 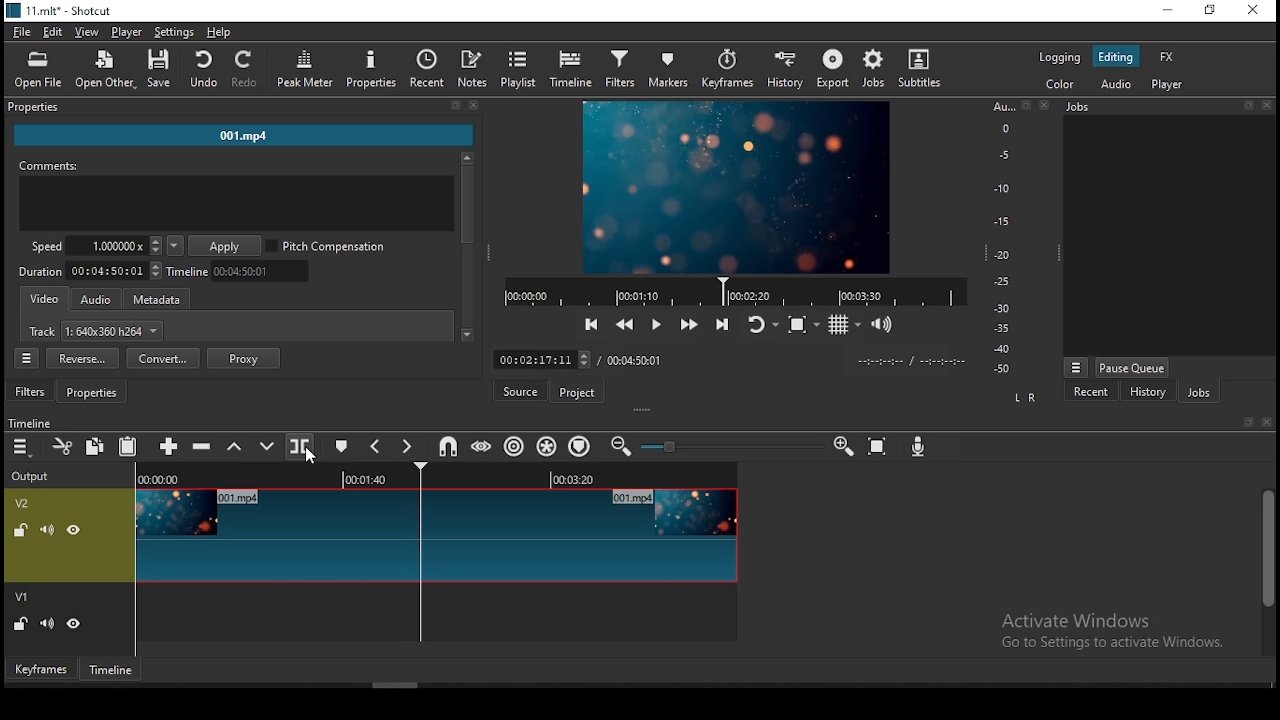 I want to click on (UN)MUTE, so click(x=45, y=624).